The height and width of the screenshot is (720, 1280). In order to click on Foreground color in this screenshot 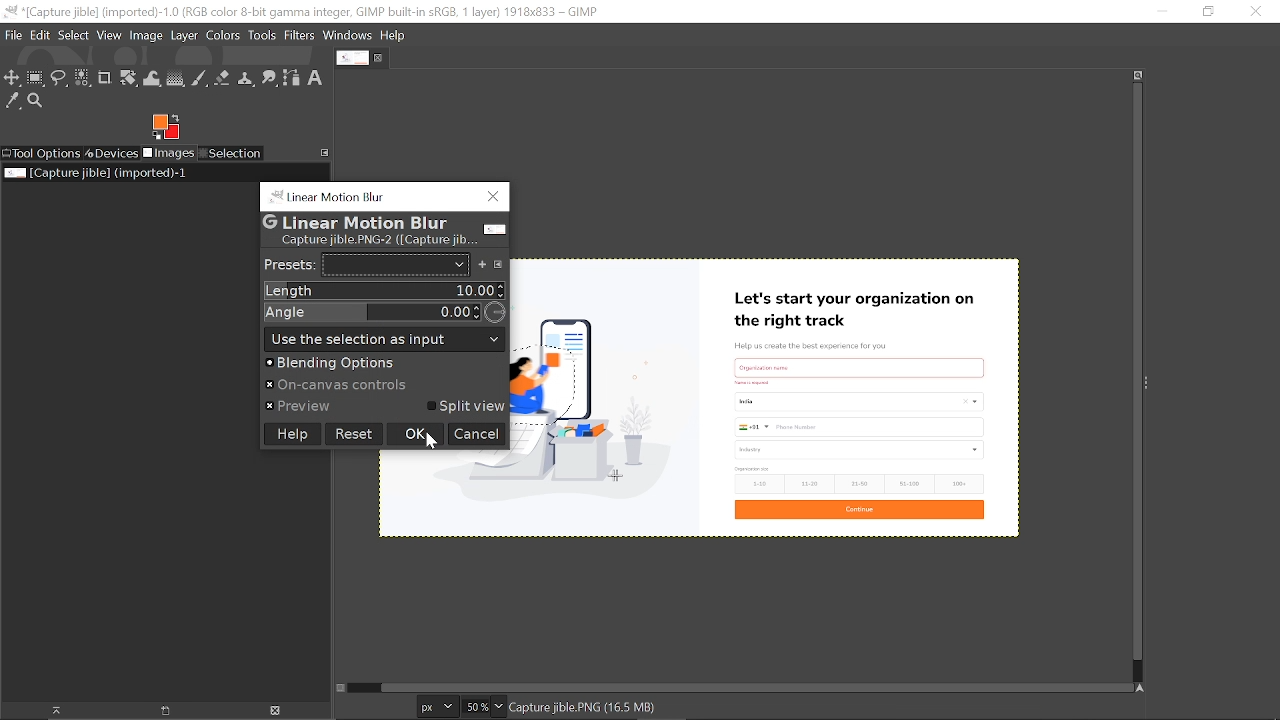, I will do `click(166, 127)`.